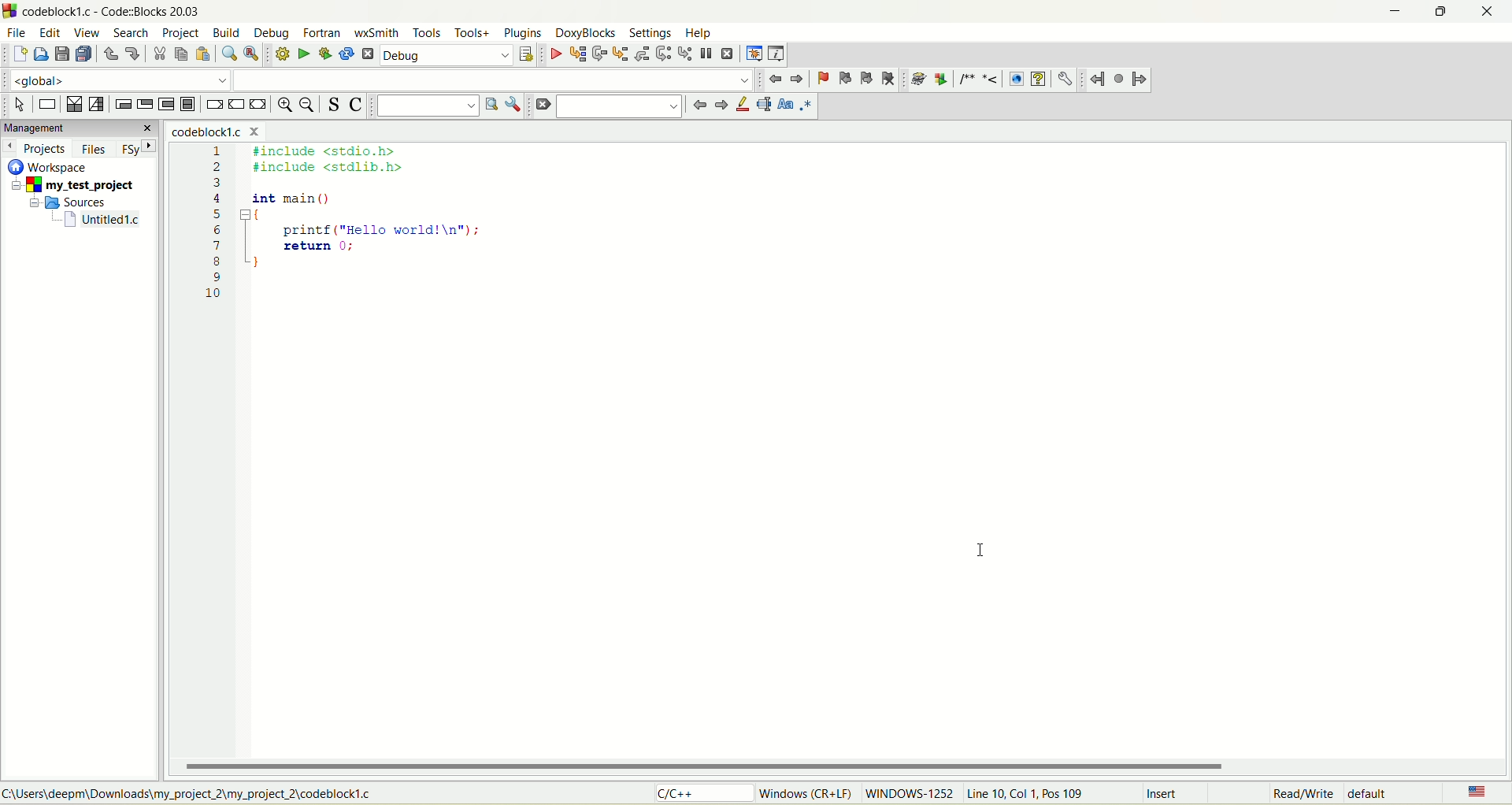 The image size is (1512, 805). Describe the element at coordinates (280, 53) in the screenshot. I see `build` at that location.